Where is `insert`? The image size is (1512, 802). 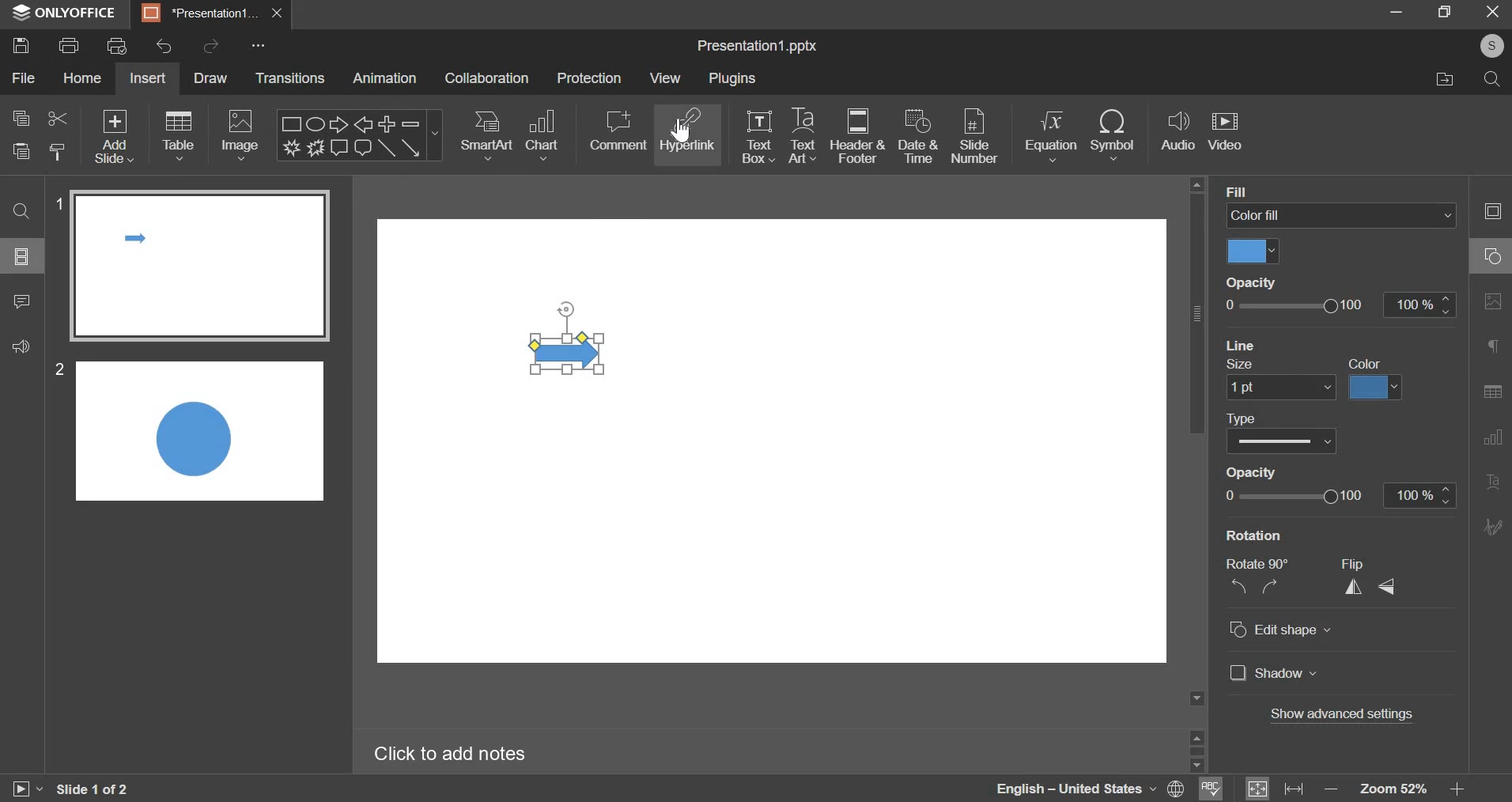
insert is located at coordinates (146, 79).